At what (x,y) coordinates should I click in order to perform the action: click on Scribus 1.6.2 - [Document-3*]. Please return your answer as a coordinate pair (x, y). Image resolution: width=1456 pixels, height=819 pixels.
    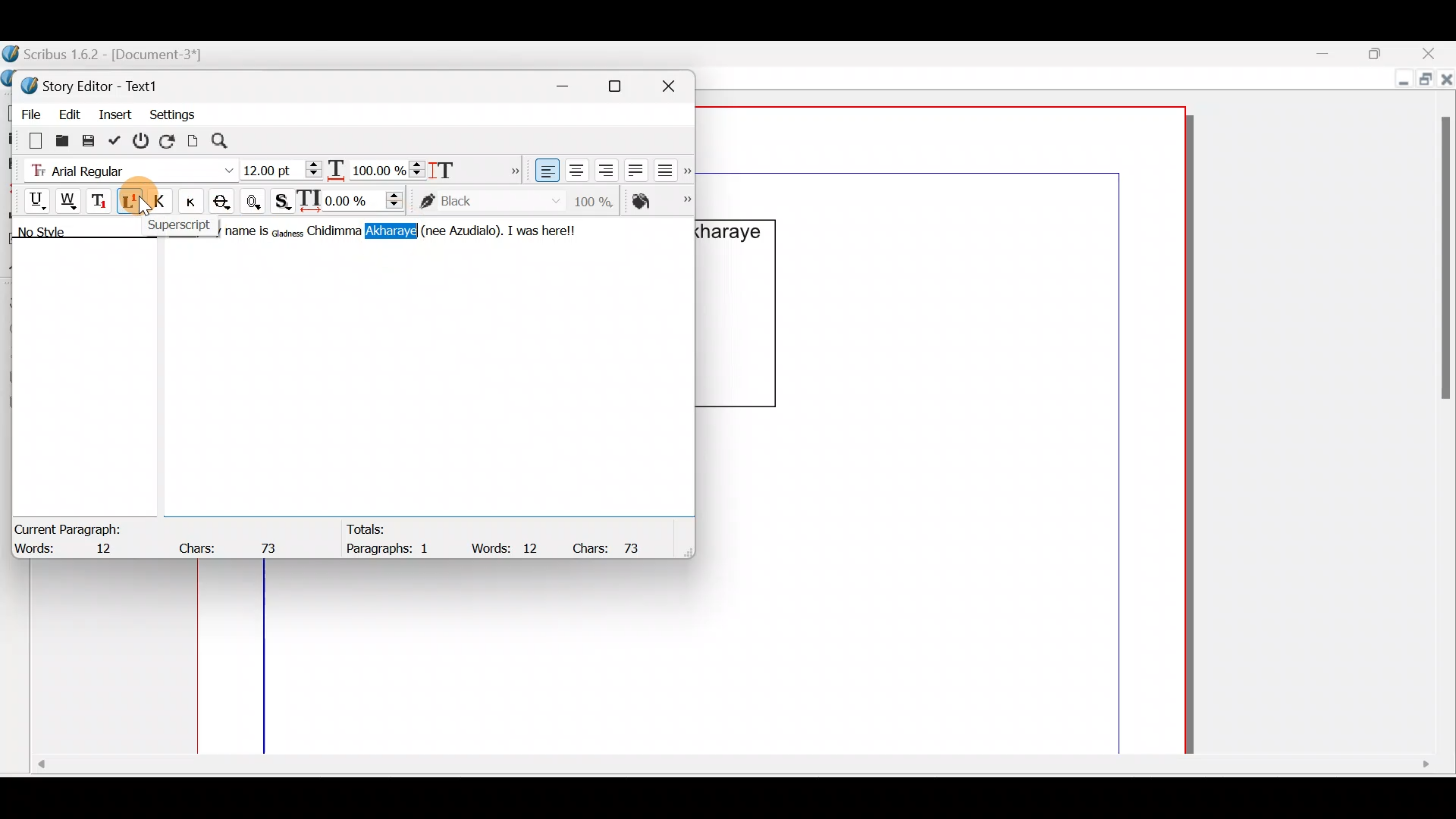
    Looking at the image, I should click on (120, 55).